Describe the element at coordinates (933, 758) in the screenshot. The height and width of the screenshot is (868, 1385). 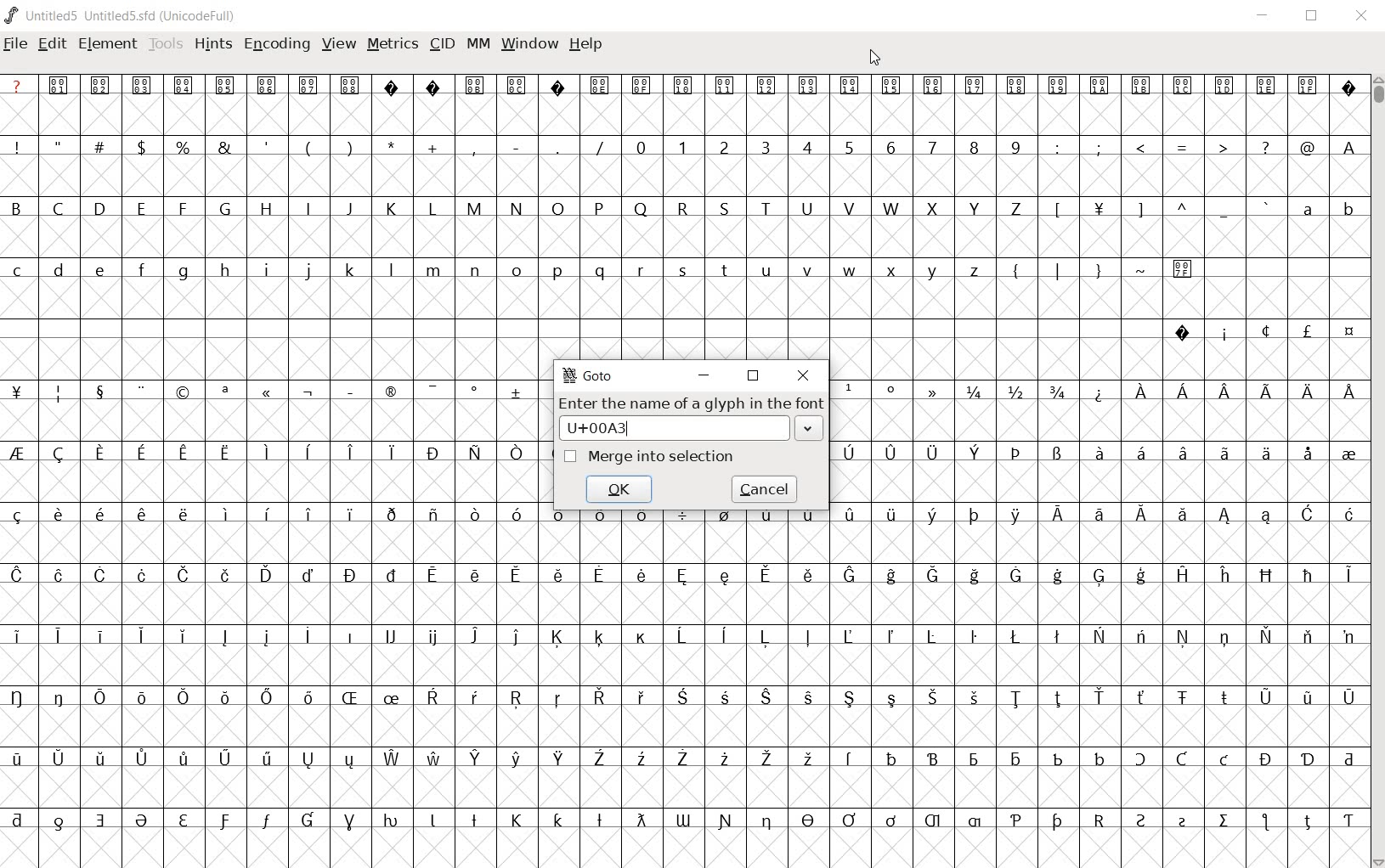
I see `Symbol` at that location.